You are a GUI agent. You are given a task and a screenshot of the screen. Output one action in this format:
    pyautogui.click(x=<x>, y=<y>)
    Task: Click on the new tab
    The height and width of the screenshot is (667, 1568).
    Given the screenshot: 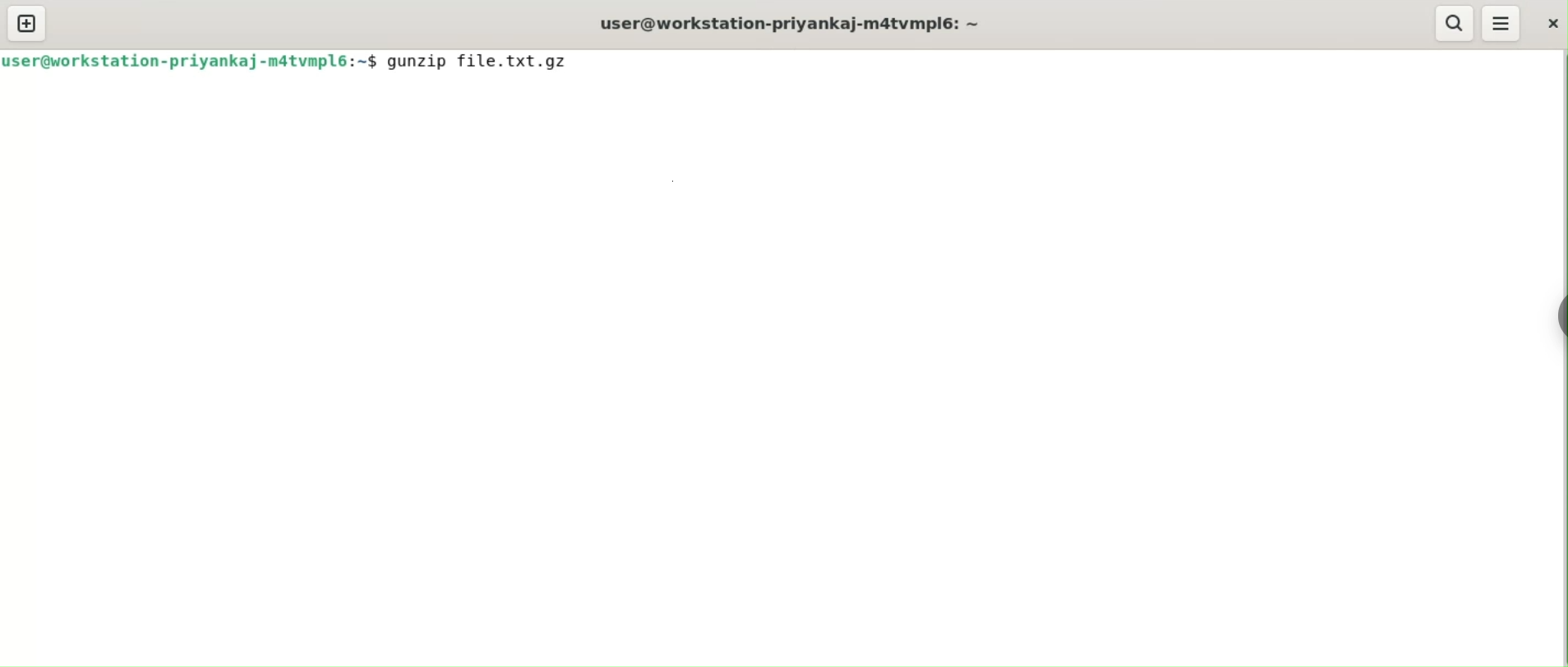 What is the action you would take?
    pyautogui.click(x=26, y=25)
    